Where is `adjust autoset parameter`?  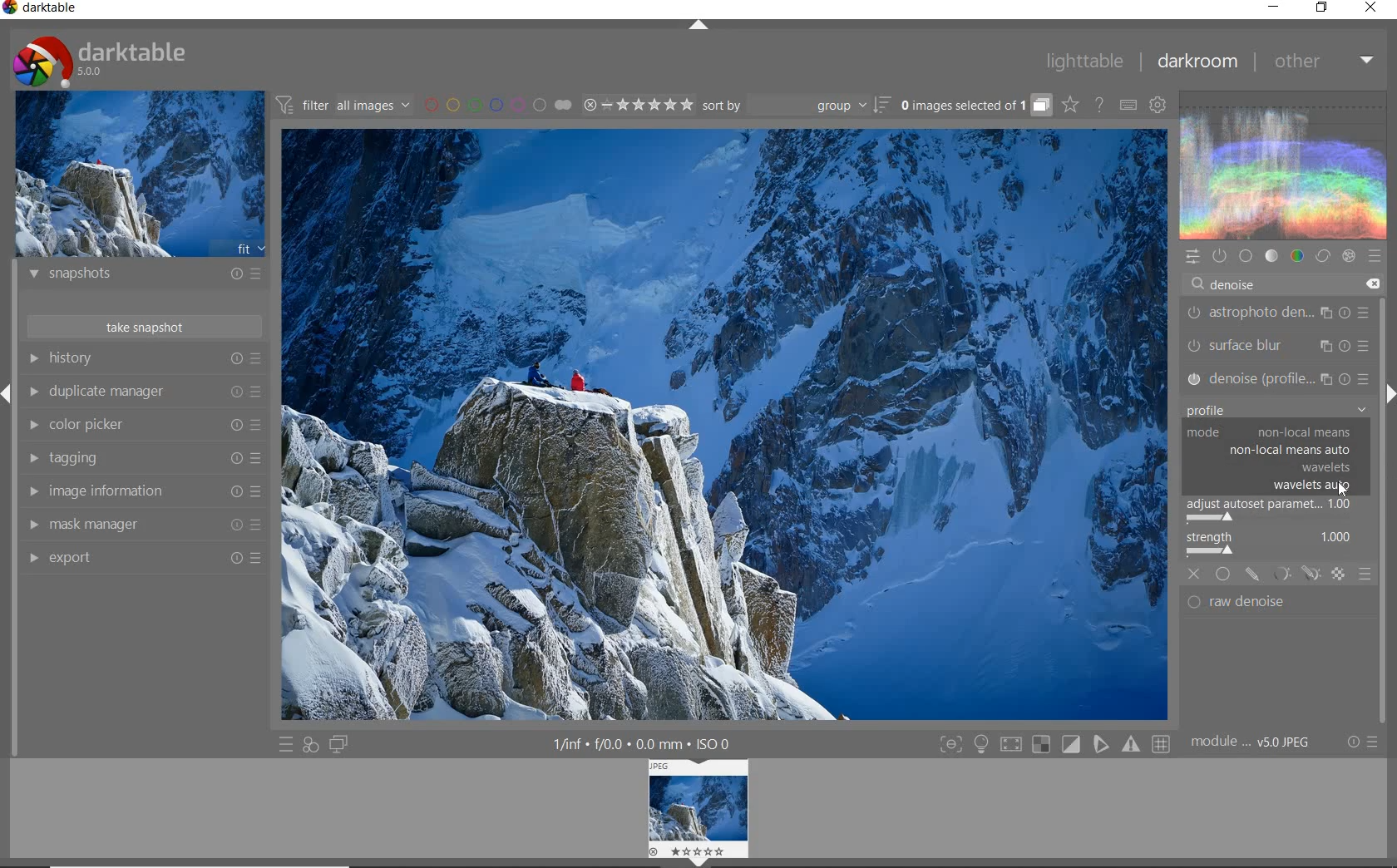 adjust autoset parameter is located at coordinates (1276, 511).